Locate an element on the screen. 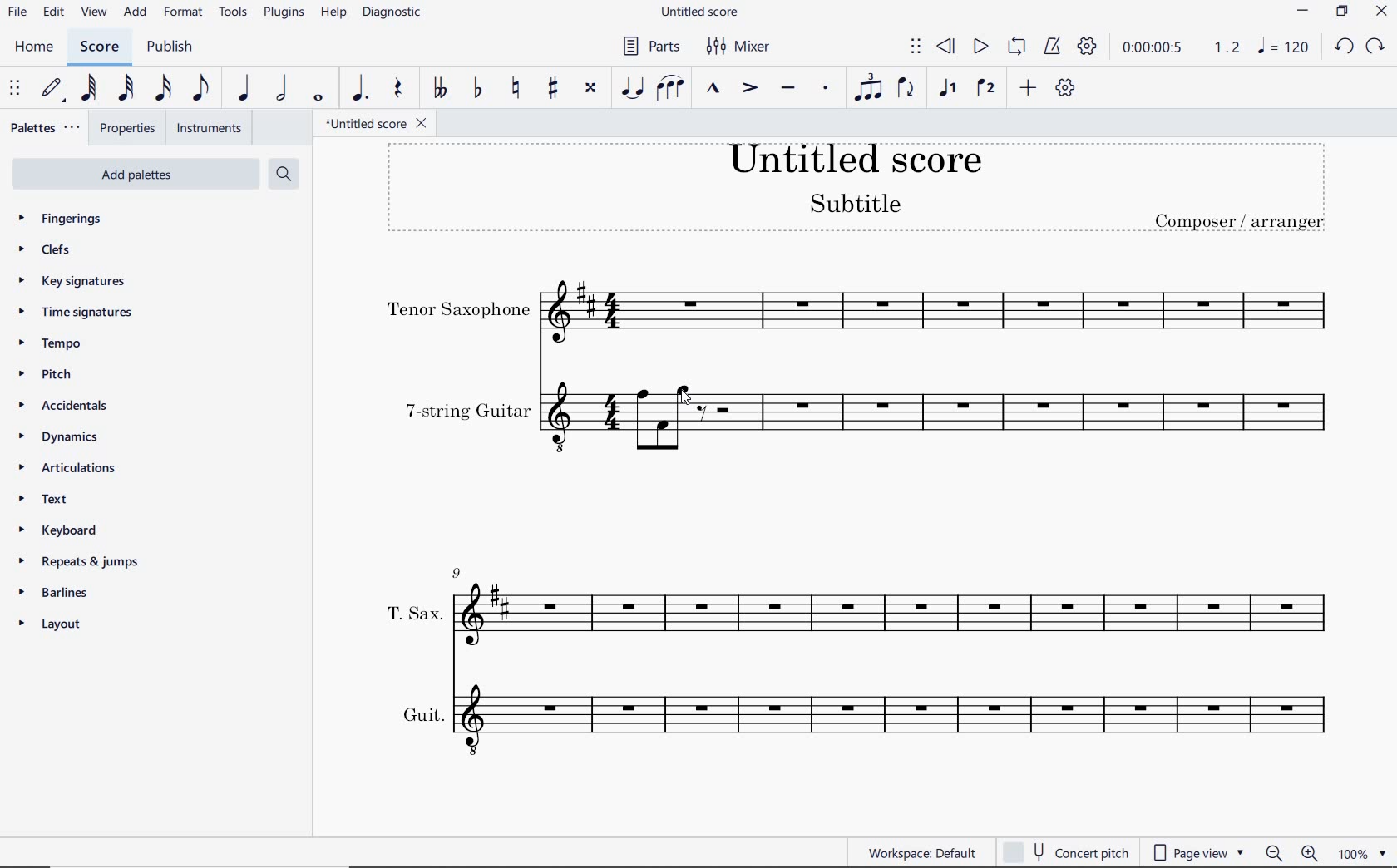  SEARCH PALETTES is located at coordinates (286, 174).